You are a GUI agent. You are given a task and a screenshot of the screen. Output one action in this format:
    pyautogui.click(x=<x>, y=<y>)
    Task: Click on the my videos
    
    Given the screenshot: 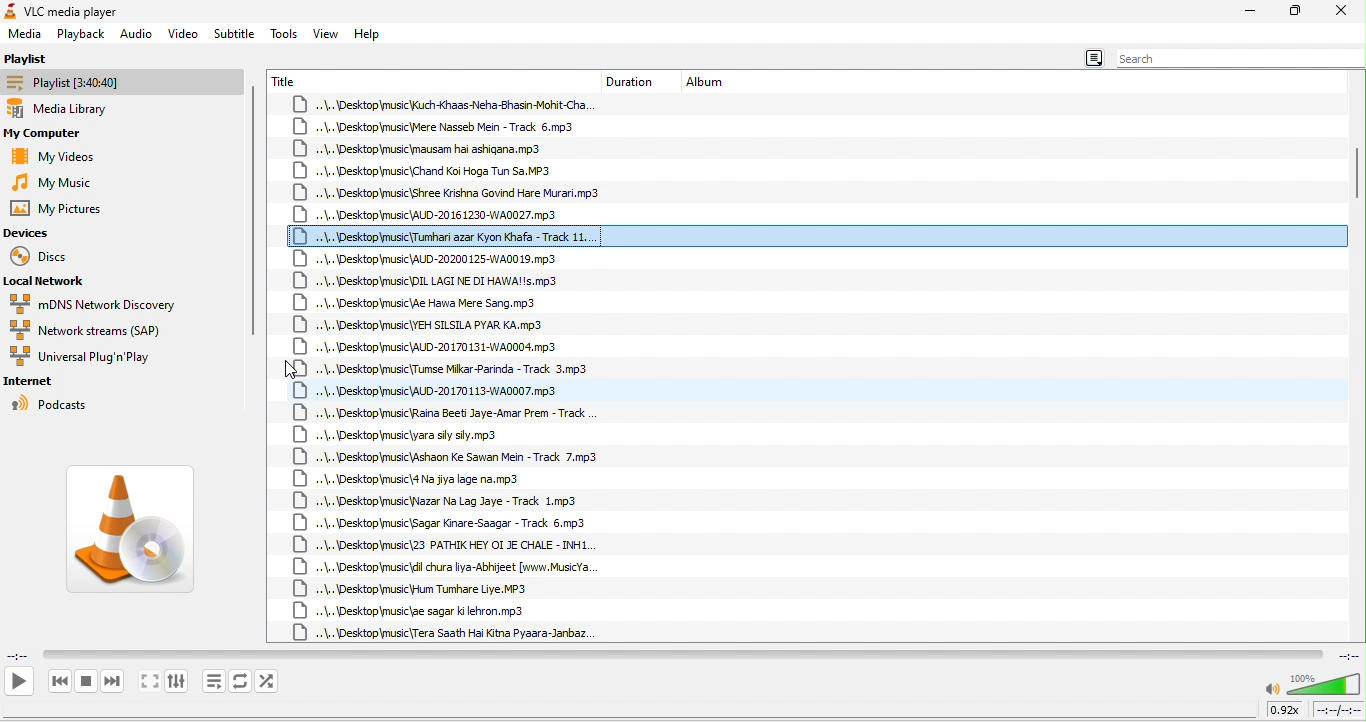 What is the action you would take?
    pyautogui.click(x=62, y=157)
    